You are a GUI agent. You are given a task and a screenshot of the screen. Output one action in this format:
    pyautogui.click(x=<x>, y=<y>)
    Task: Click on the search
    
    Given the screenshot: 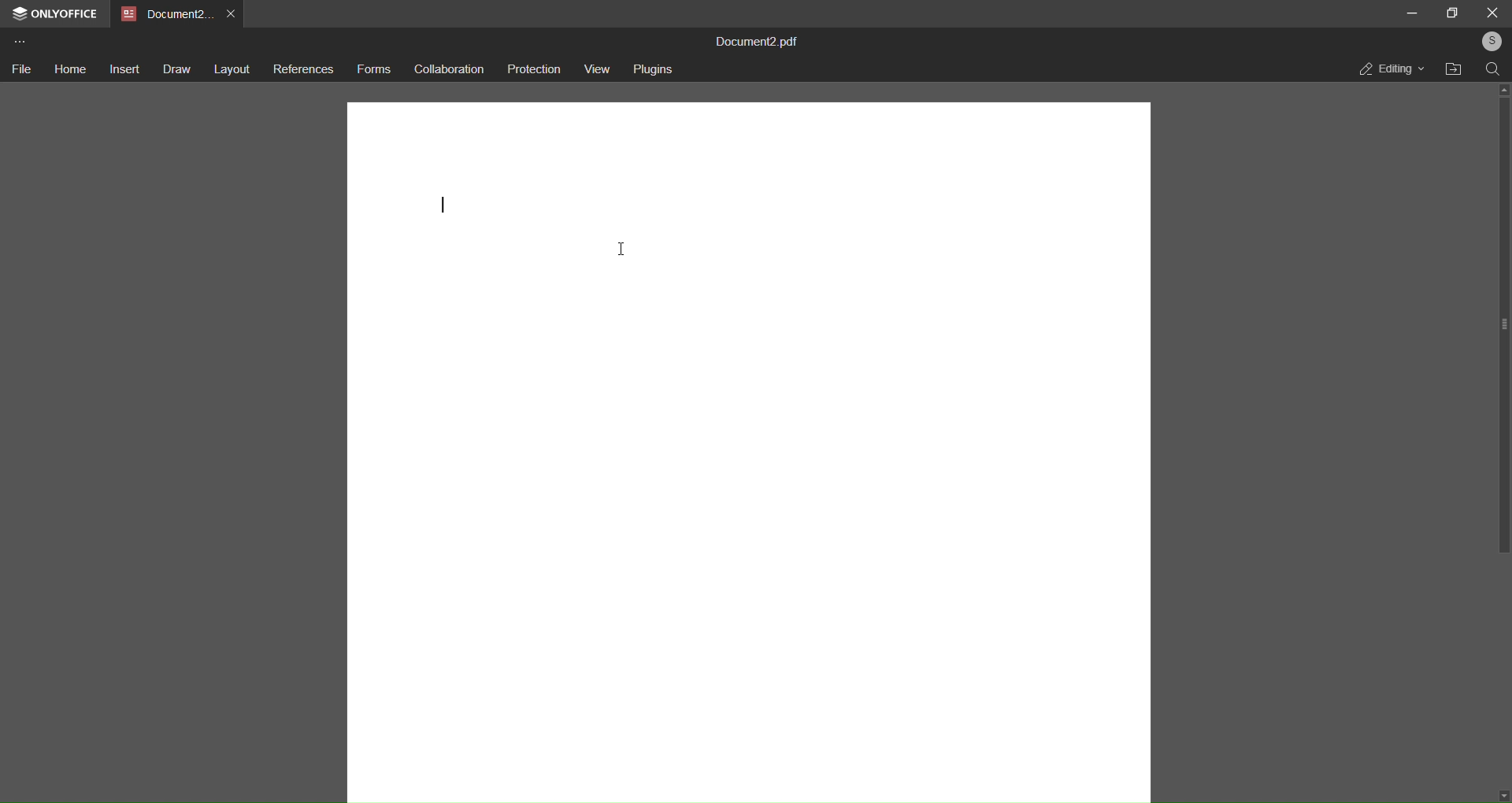 What is the action you would take?
    pyautogui.click(x=1493, y=68)
    